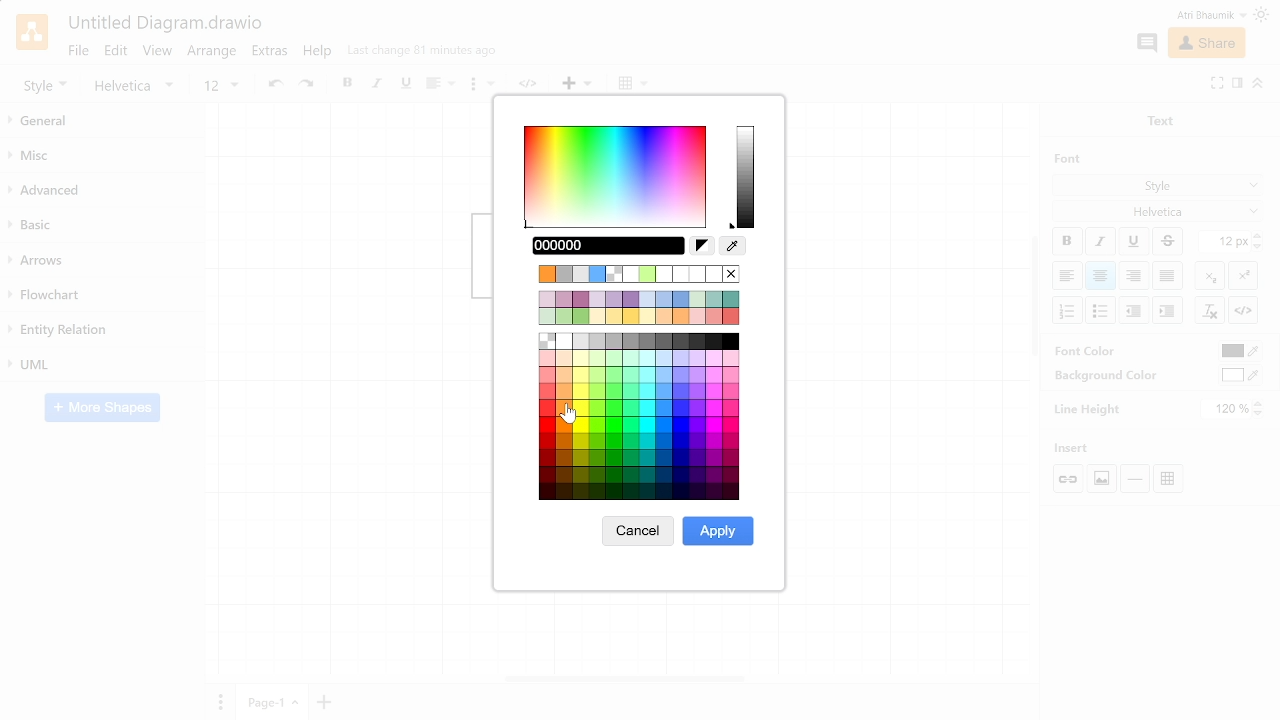  Describe the element at coordinates (1135, 309) in the screenshot. I see `Increase indent` at that location.